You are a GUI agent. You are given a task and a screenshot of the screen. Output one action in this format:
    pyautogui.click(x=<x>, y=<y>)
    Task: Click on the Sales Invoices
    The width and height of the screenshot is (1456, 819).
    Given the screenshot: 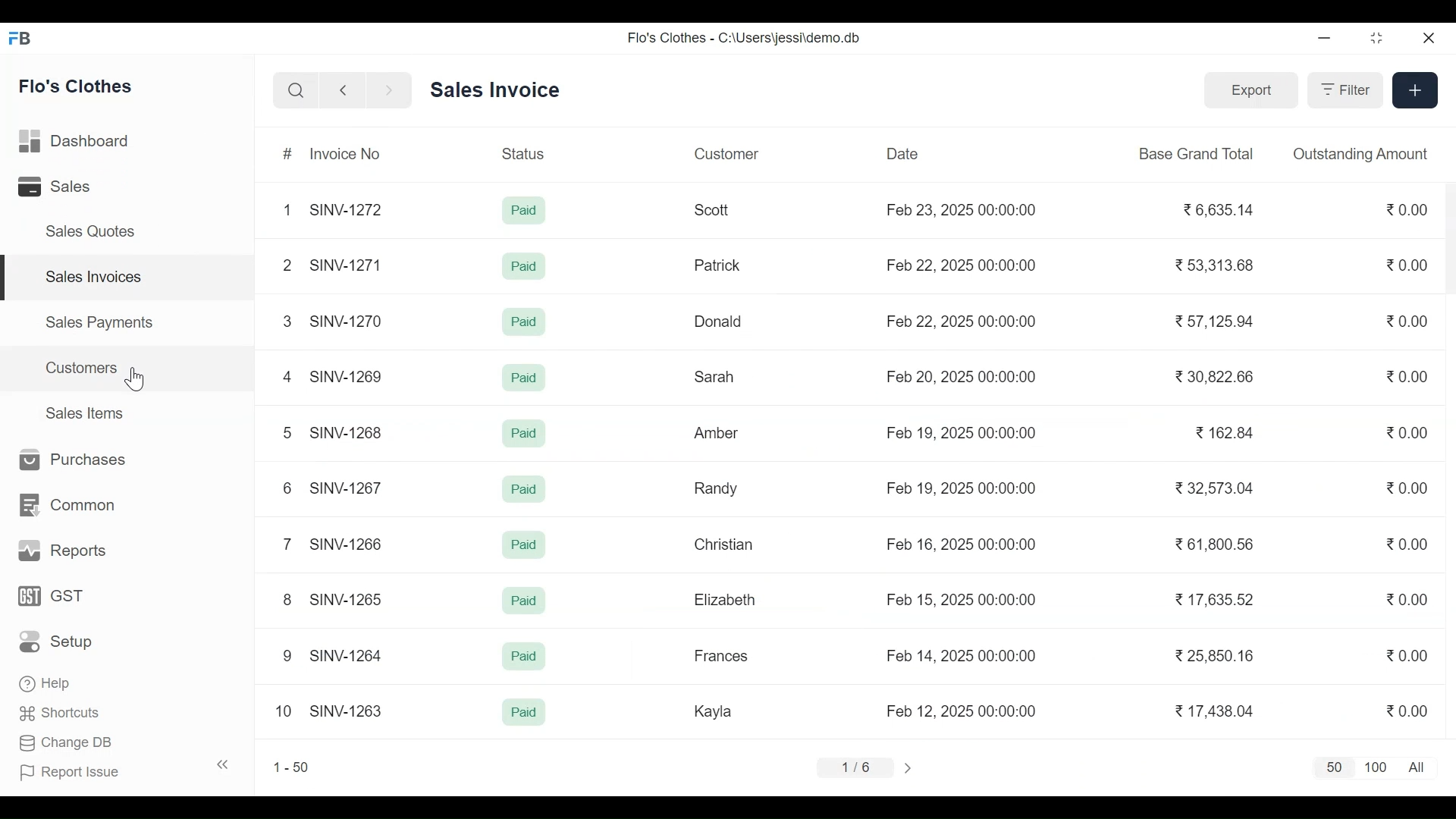 What is the action you would take?
    pyautogui.click(x=129, y=278)
    